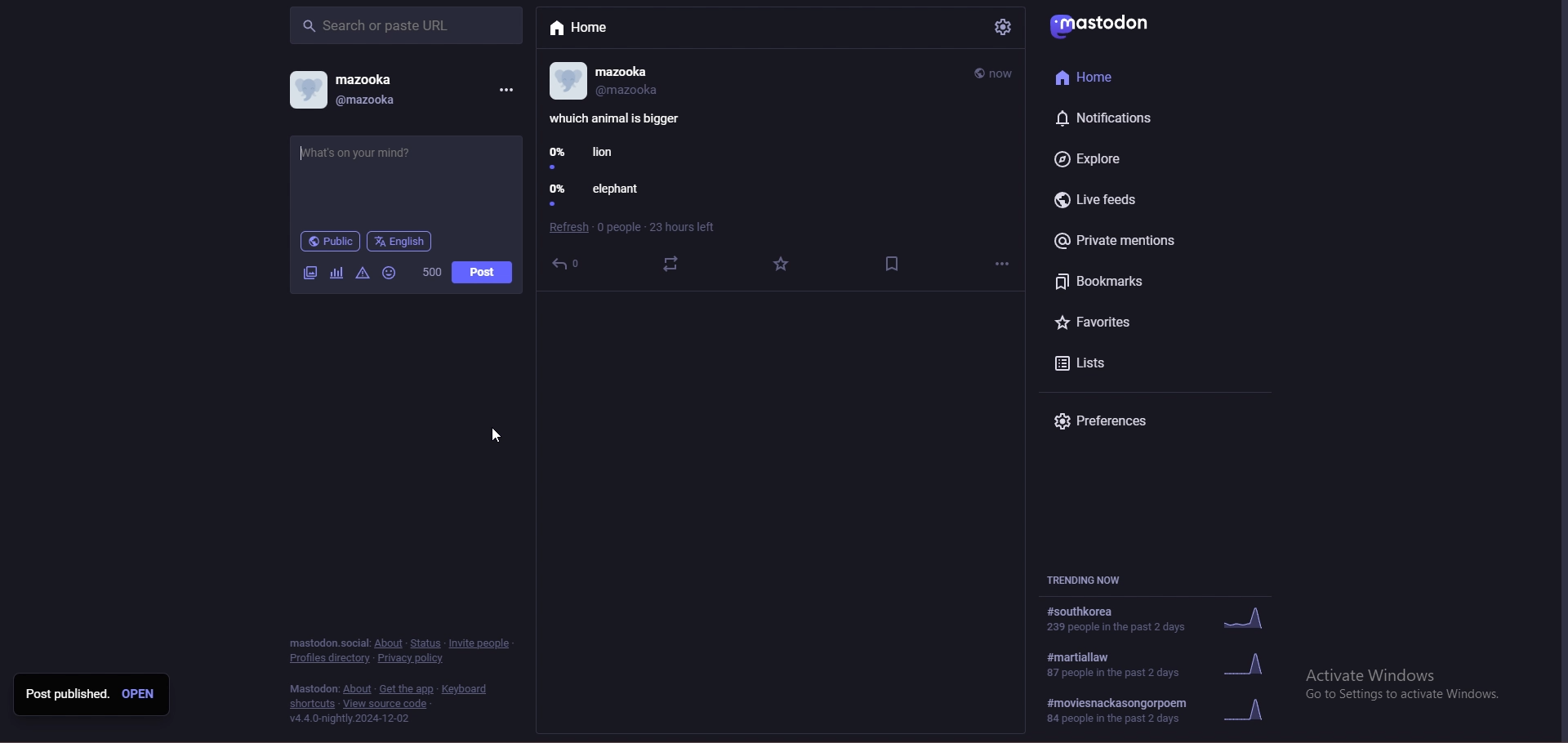 This screenshot has height=743, width=1568. Describe the element at coordinates (786, 265) in the screenshot. I see `favourites` at that location.